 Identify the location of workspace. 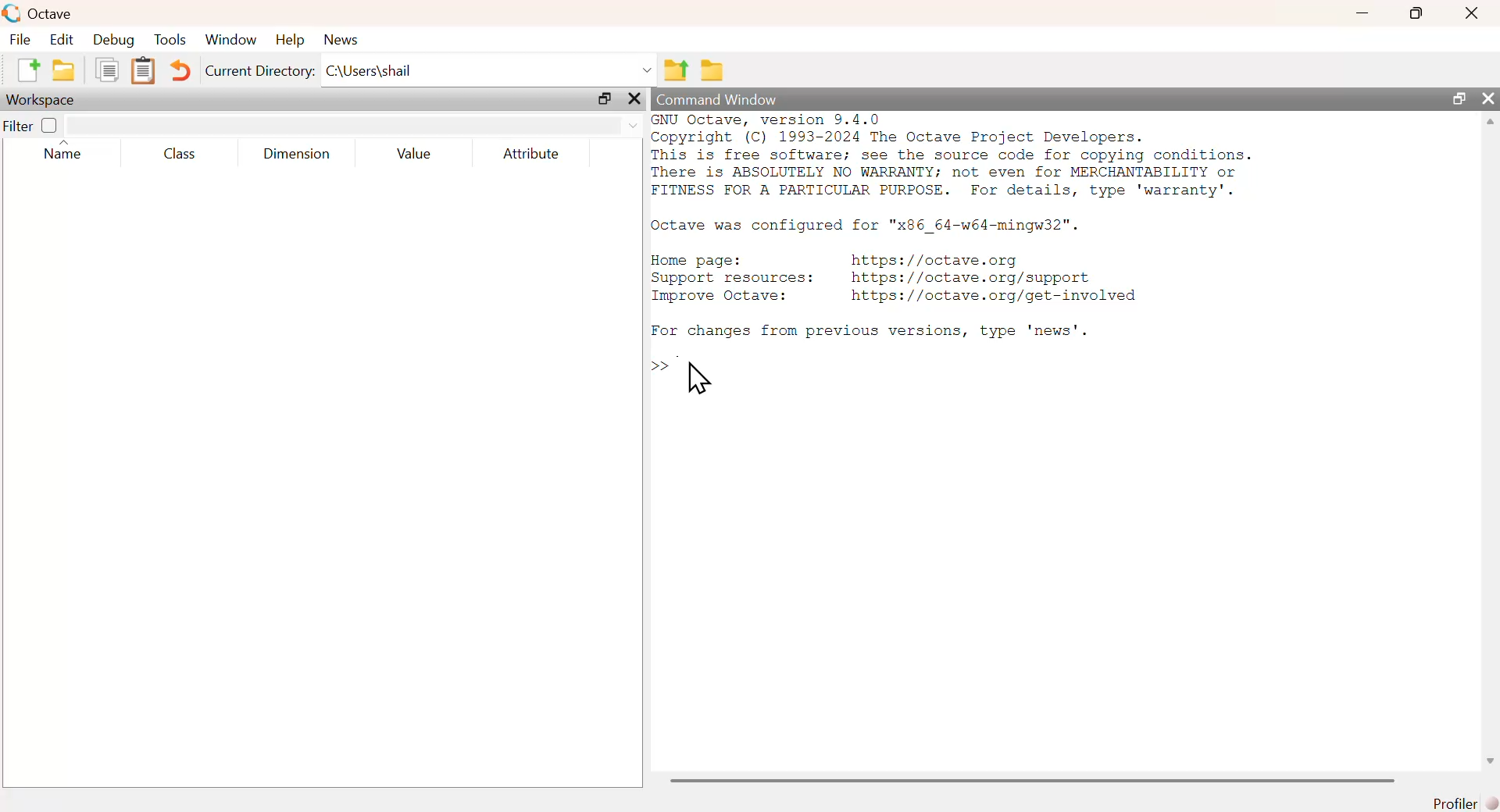
(48, 100).